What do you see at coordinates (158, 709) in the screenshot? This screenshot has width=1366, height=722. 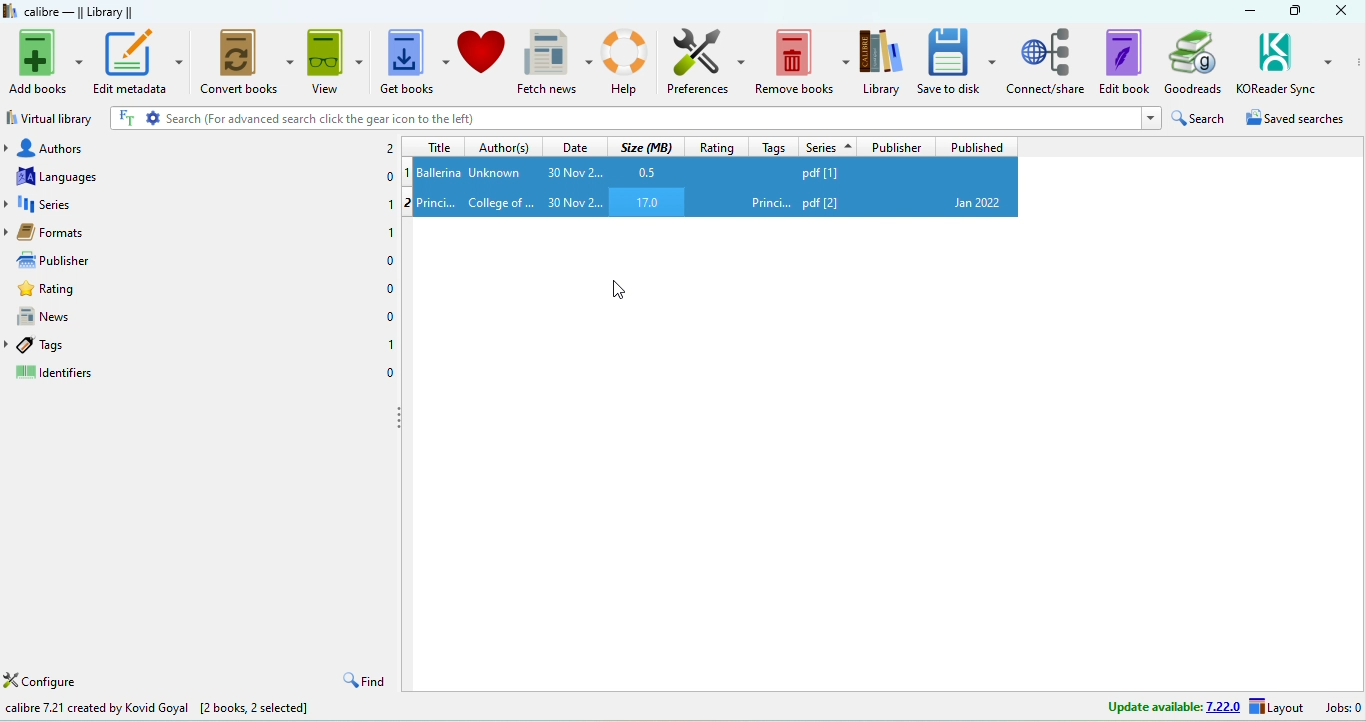 I see `calibre 7.21 created by kovid goyal [2 books, 2 selected]` at bounding box center [158, 709].